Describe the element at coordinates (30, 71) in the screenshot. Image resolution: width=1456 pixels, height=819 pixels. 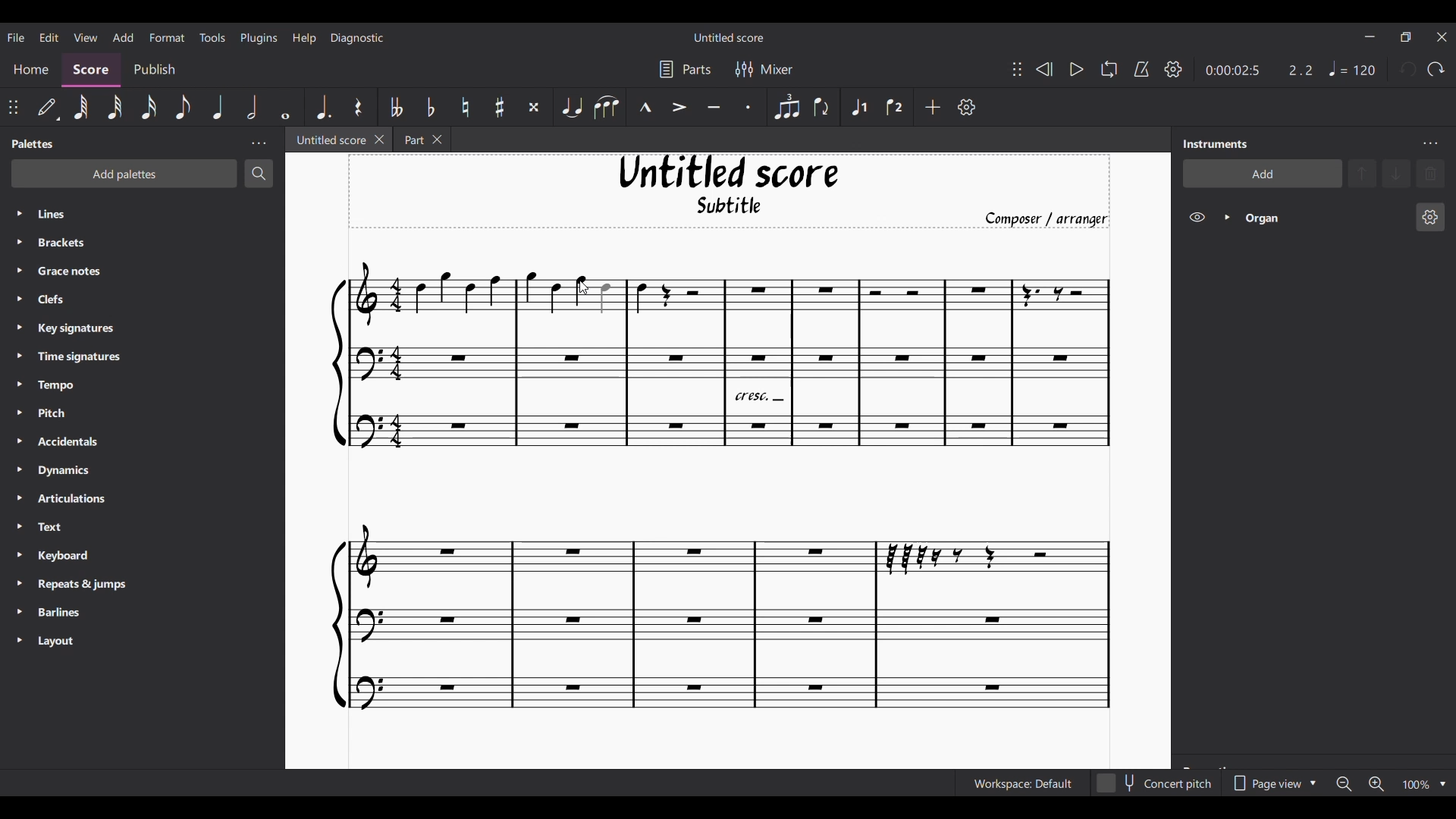
I see `Home section` at that location.